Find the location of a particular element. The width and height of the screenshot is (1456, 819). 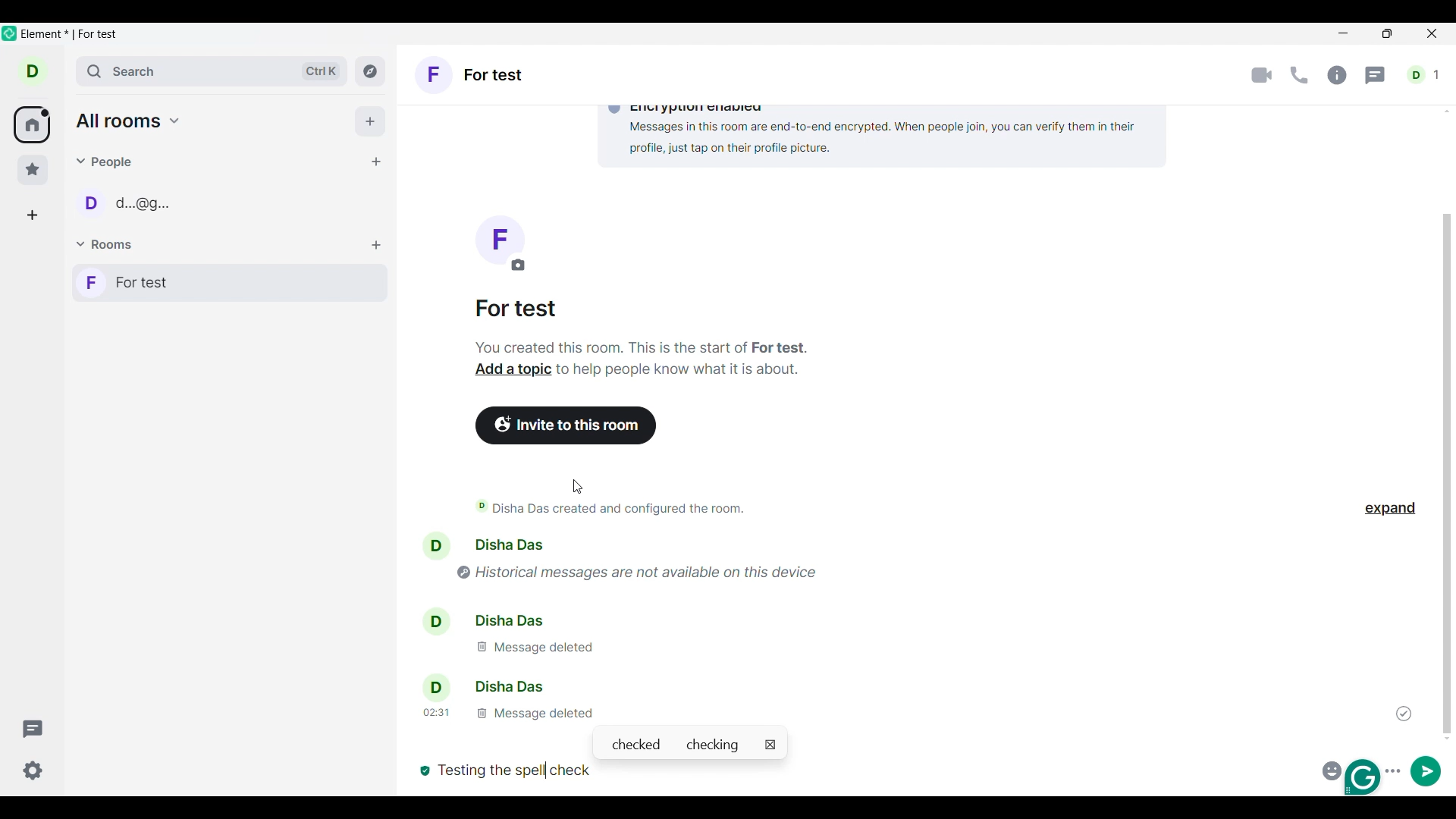

f for test is located at coordinates (471, 77).